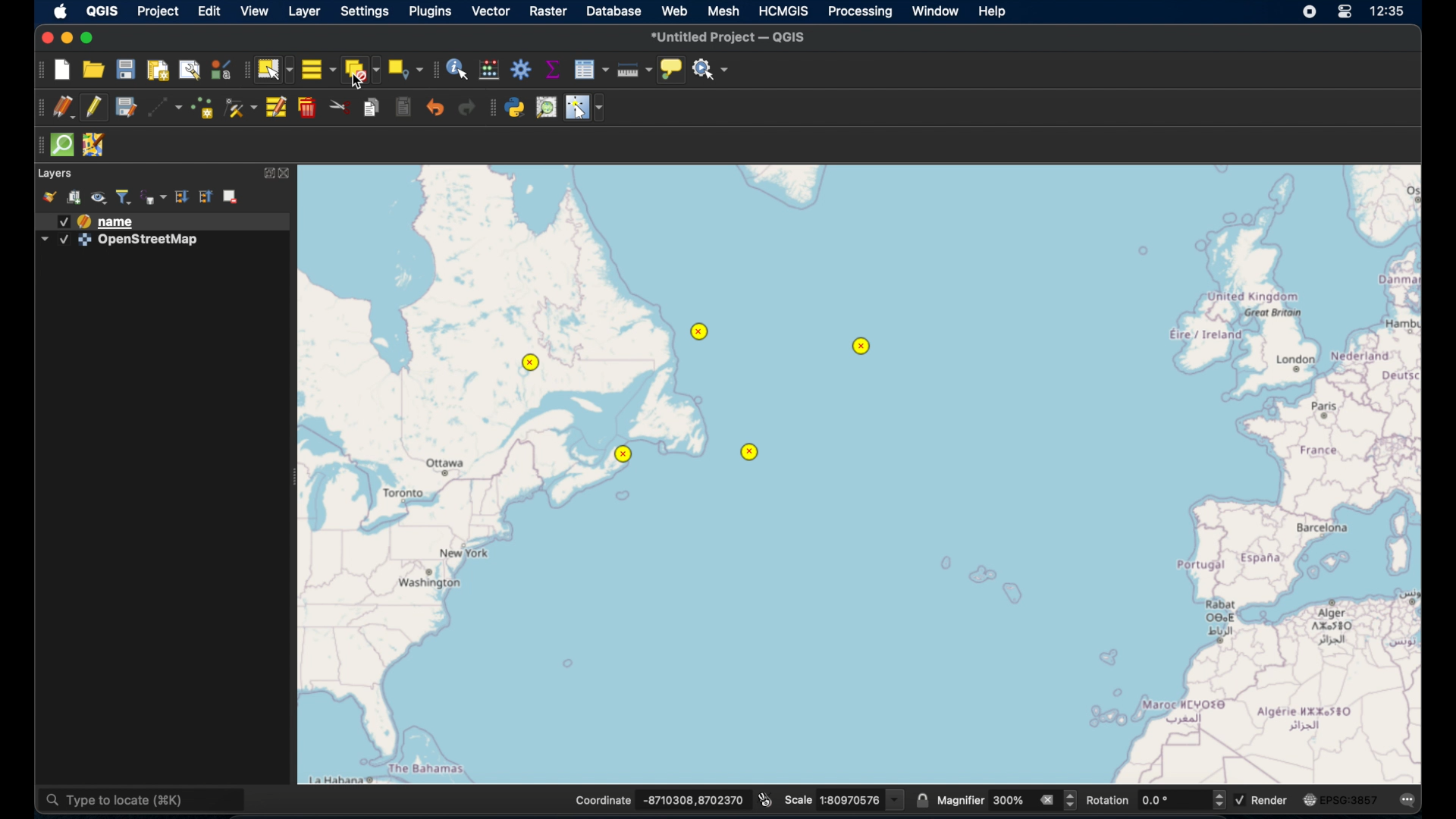 The image size is (1456, 819). Describe the element at coordinates (318, 71) in the screenshot. I see `select all features` at that location.